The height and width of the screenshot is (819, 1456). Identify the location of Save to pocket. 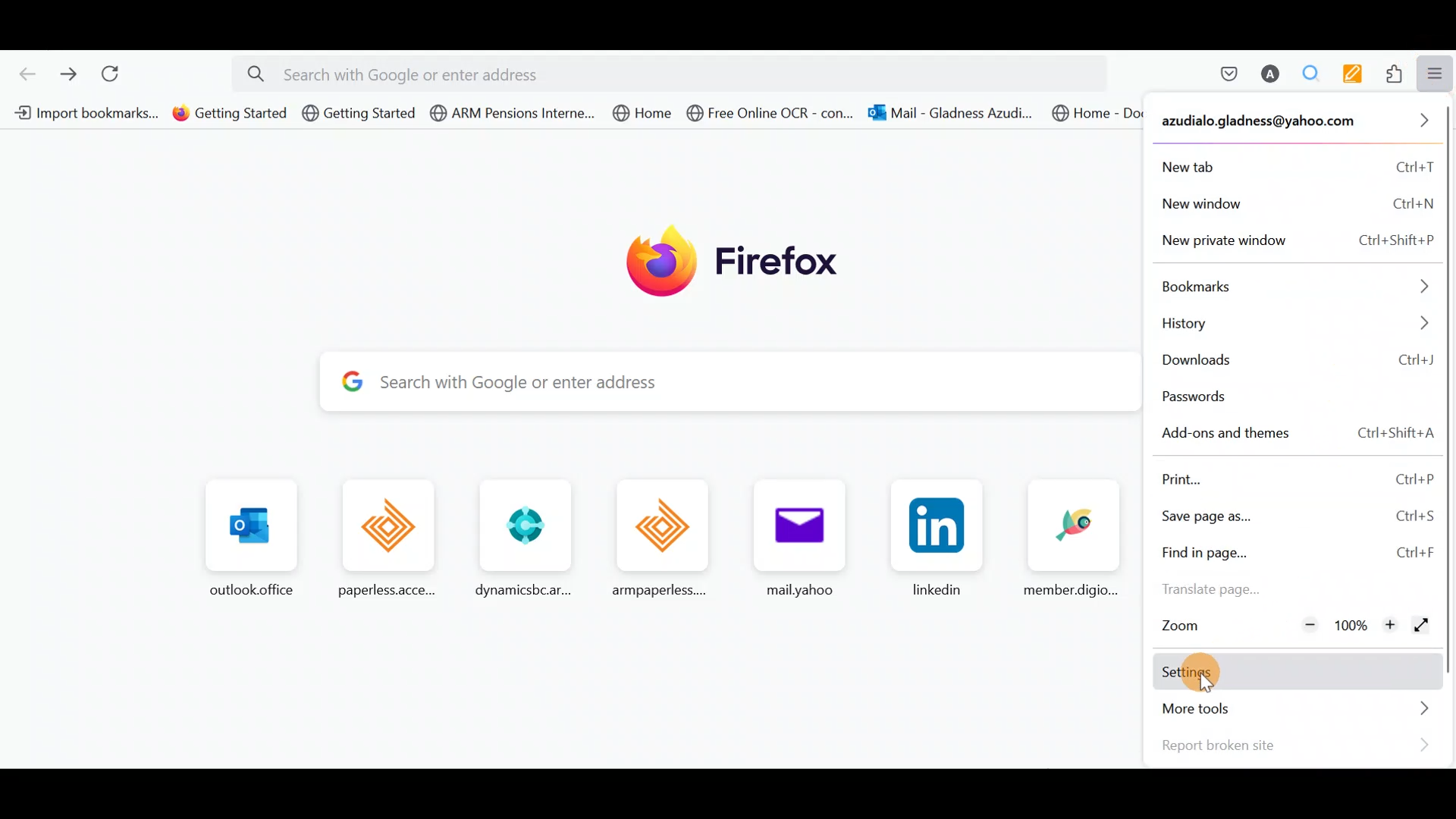
(1222, 73).